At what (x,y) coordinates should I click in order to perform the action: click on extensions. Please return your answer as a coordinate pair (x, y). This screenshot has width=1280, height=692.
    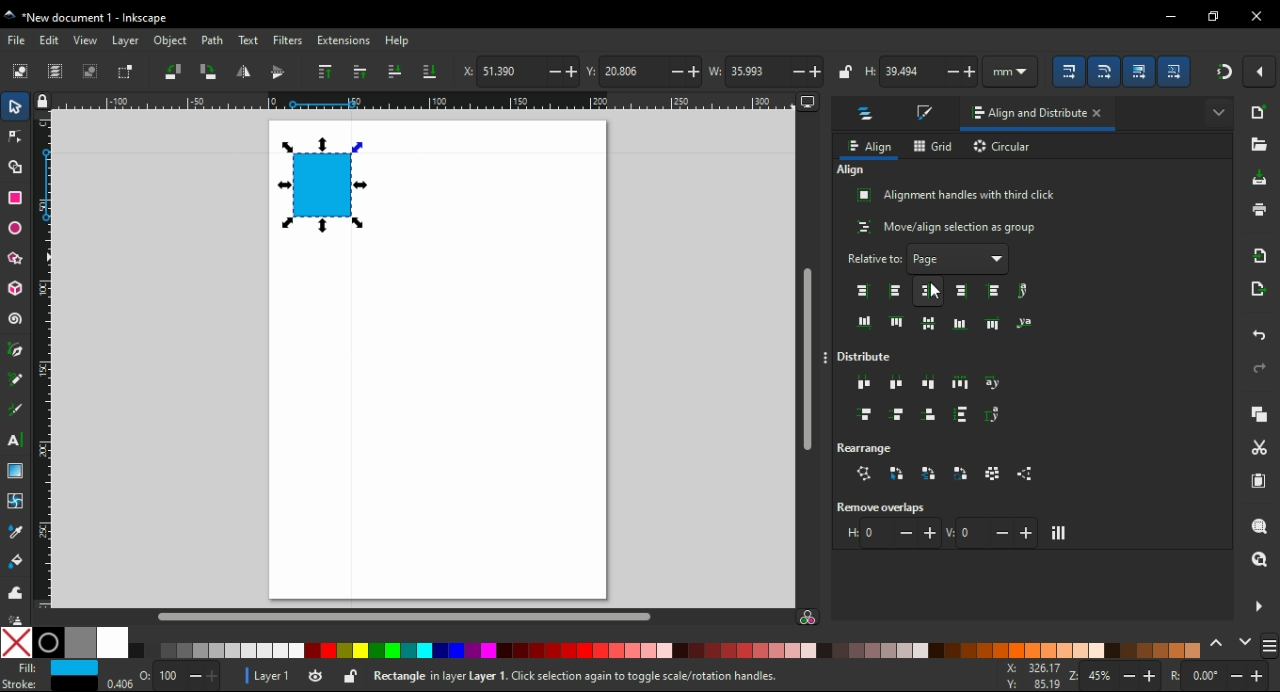
    Looking at the image, I should click on (344, 40).